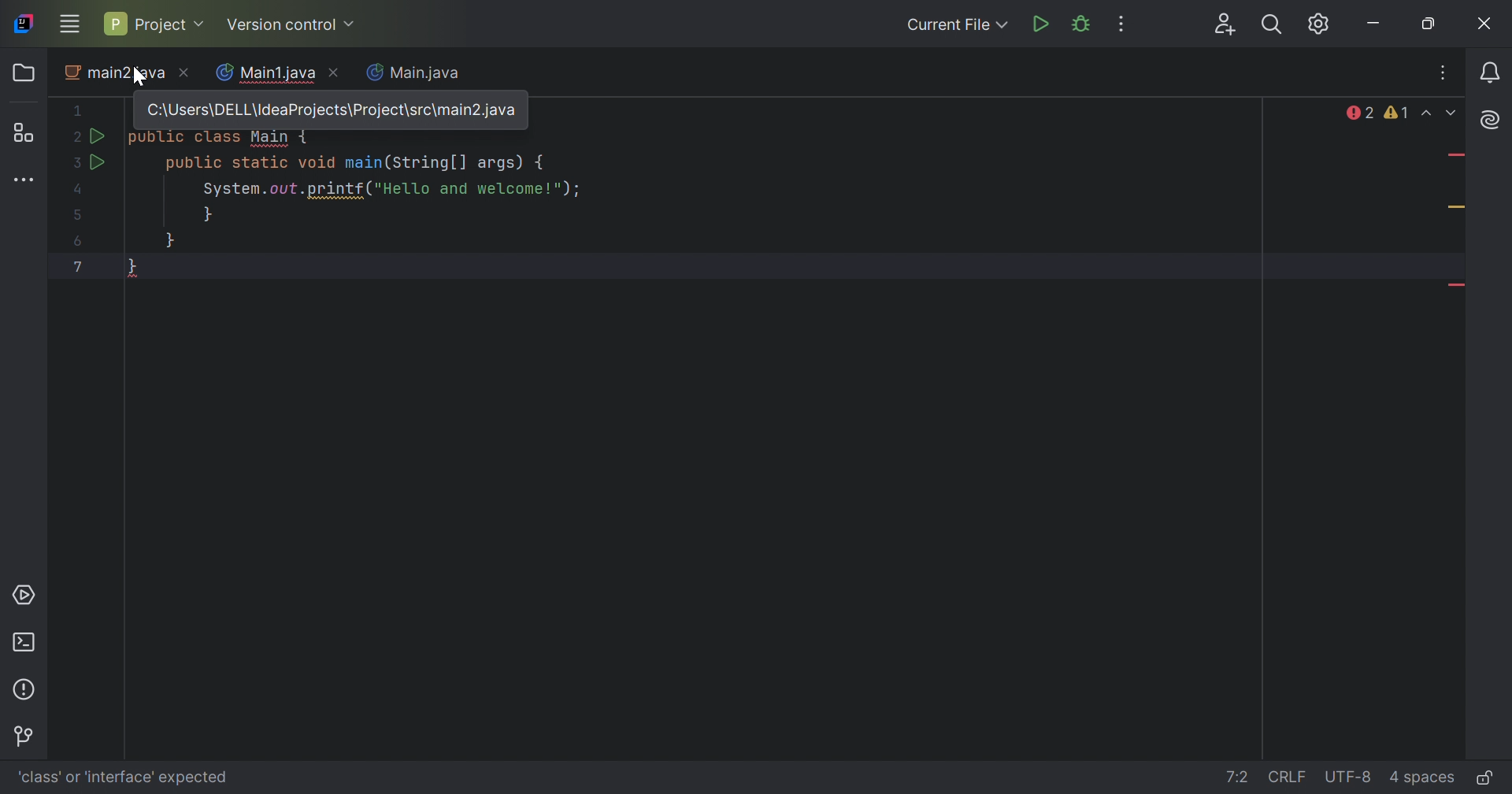 This screenshot has width=1512, height=794. Describe the element at coordinates (98, 137) in the screenshot. I see `Run` at that location.